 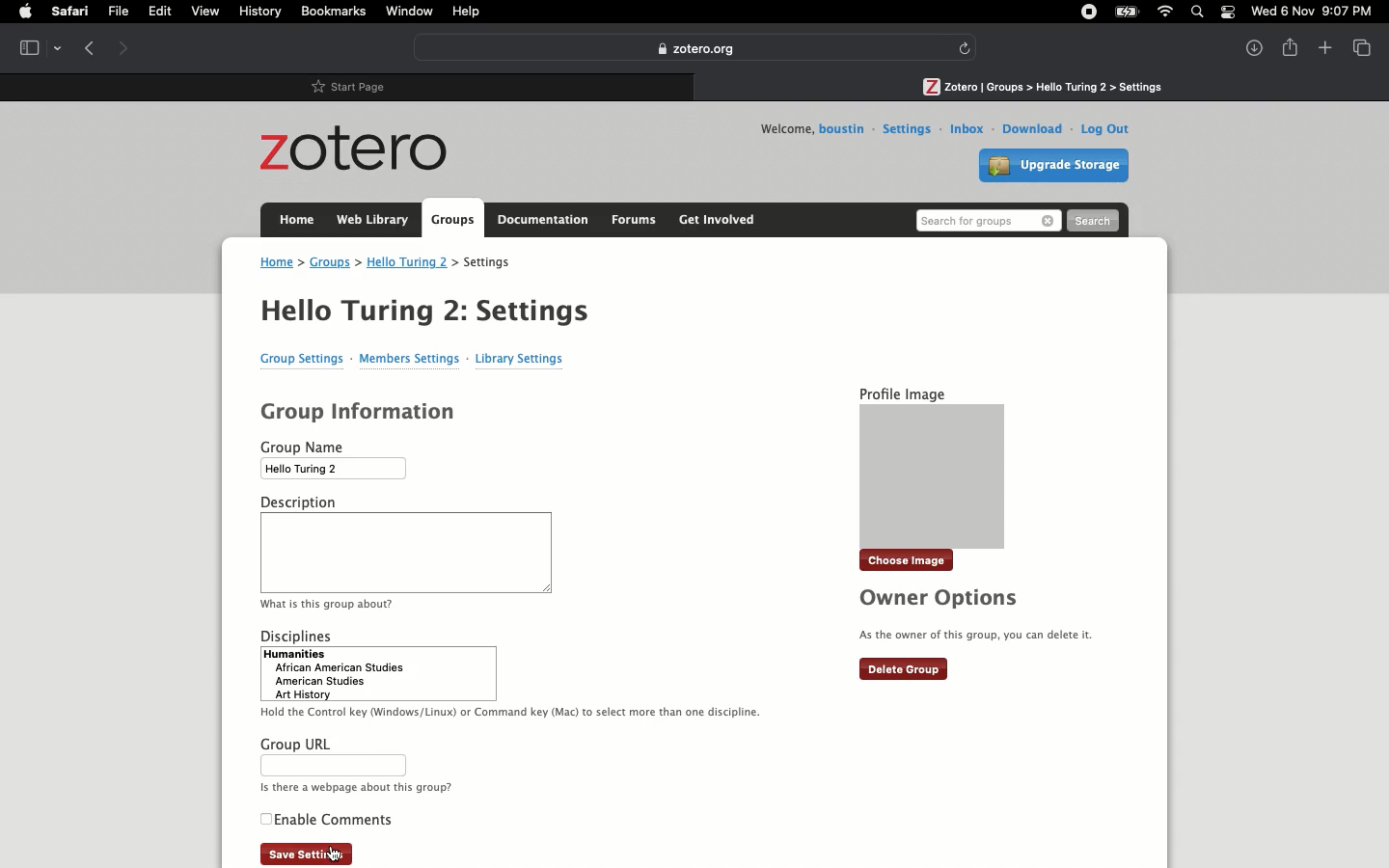 What do you see at coordinates (164, 14) in the screenshot?
I see `Edit` at bounding box center [164, 14].